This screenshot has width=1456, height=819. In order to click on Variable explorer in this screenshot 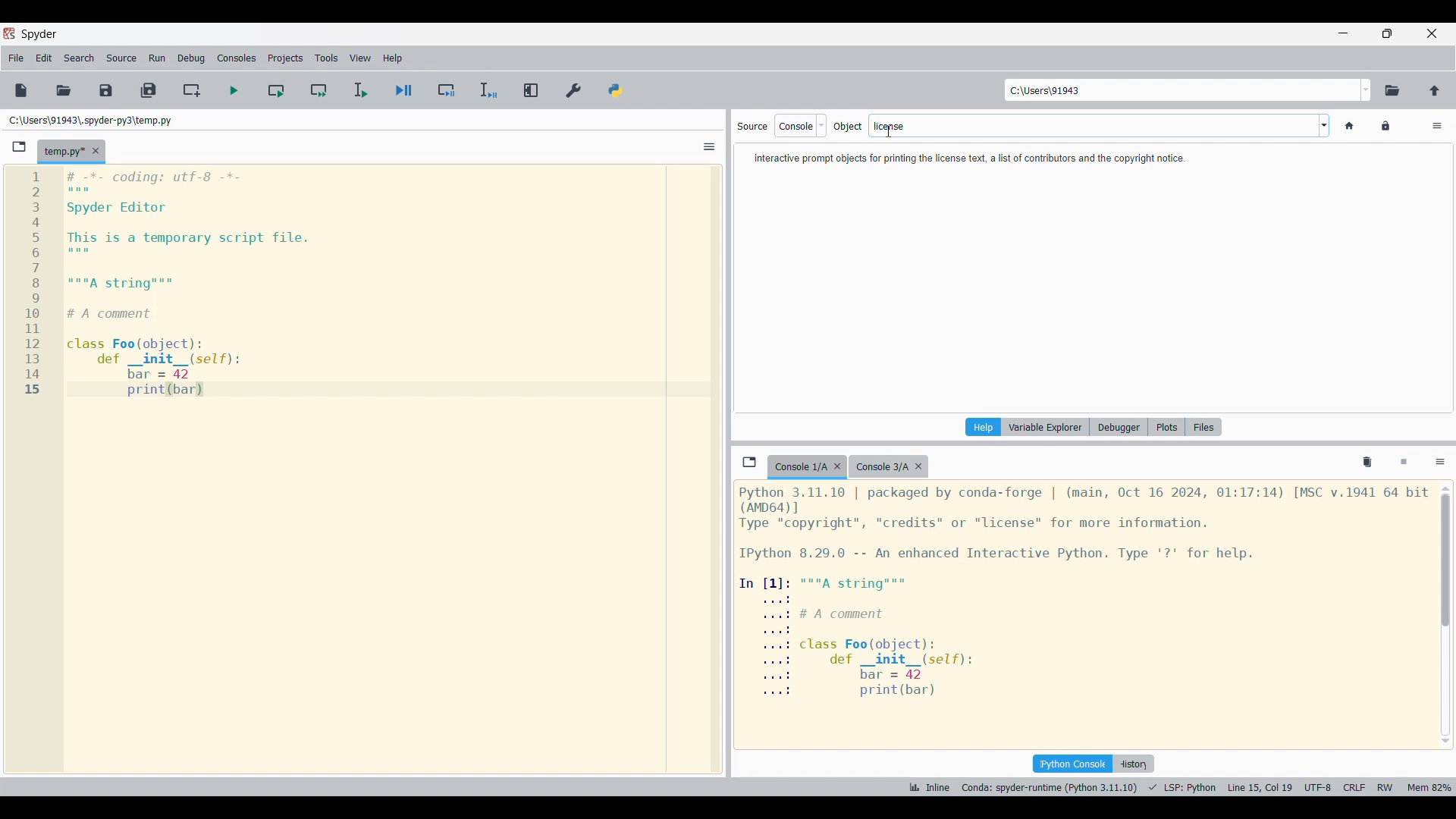, I will do `click(1046, 427)`.